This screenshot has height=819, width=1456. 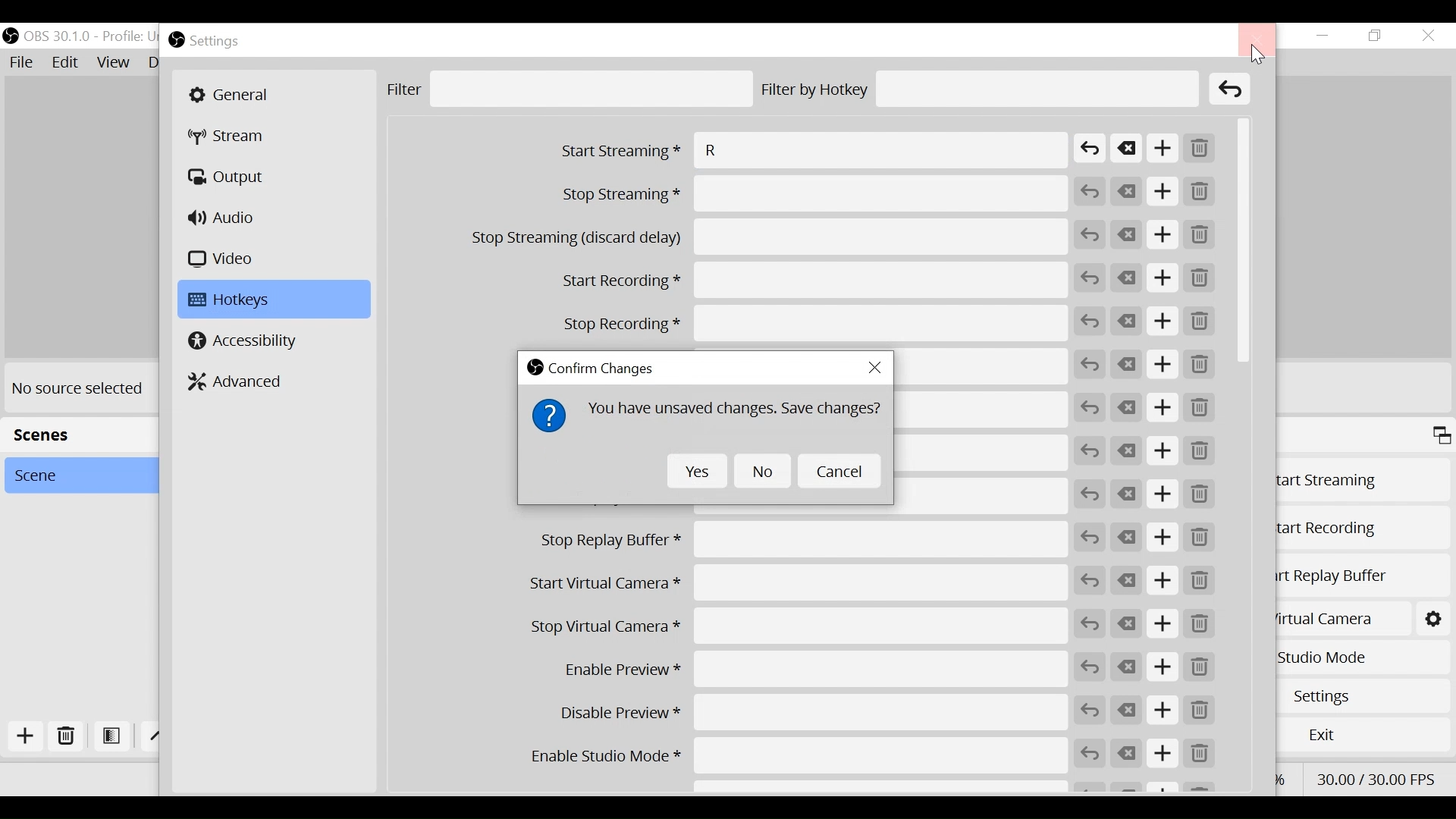 I want to click on Revert, so click(x=1090, y=753).